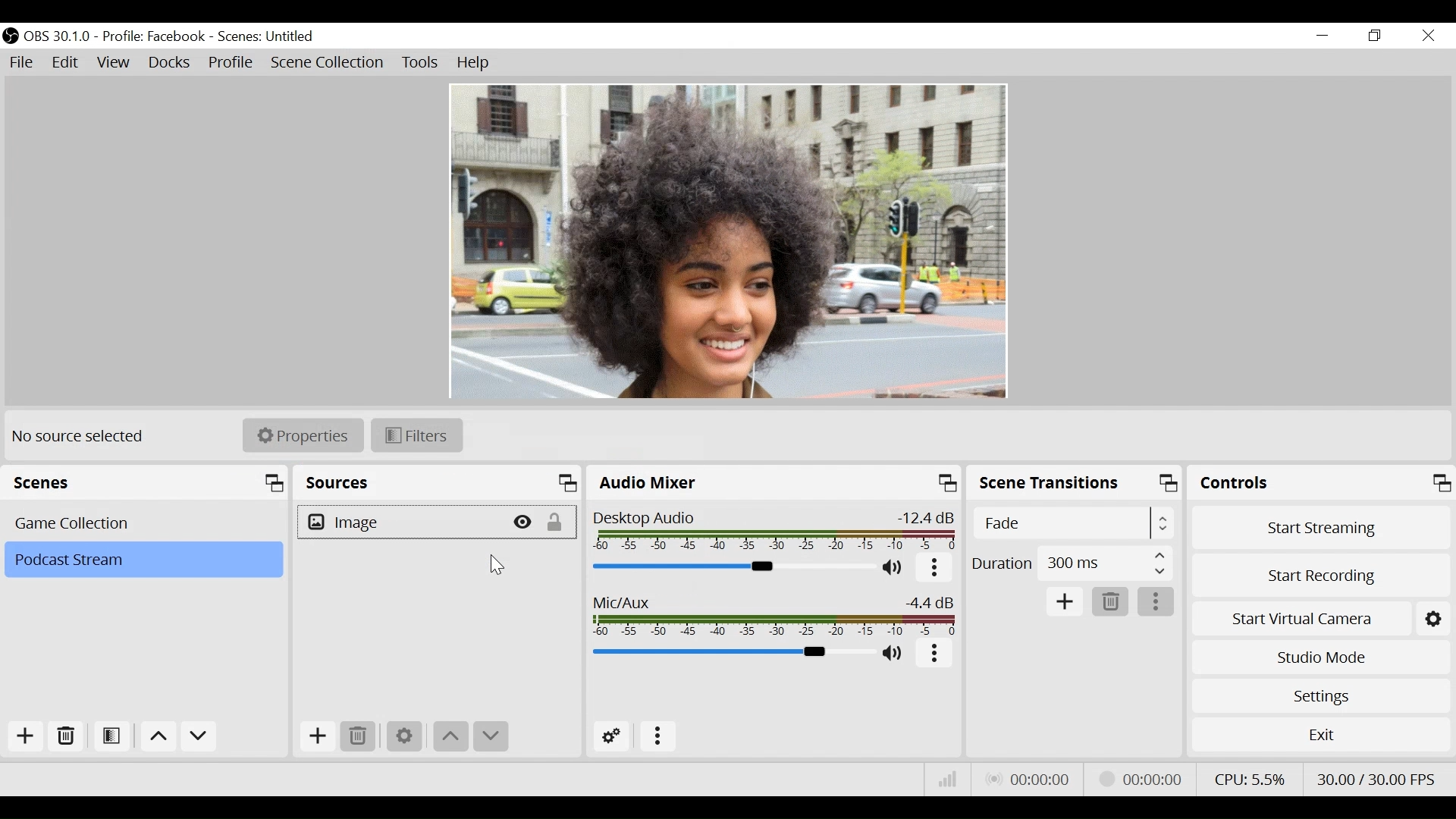 The image size is (1456, 819). Describe the element at coordinates (421, 63) in the screenshot. I see `Tools` at that location.